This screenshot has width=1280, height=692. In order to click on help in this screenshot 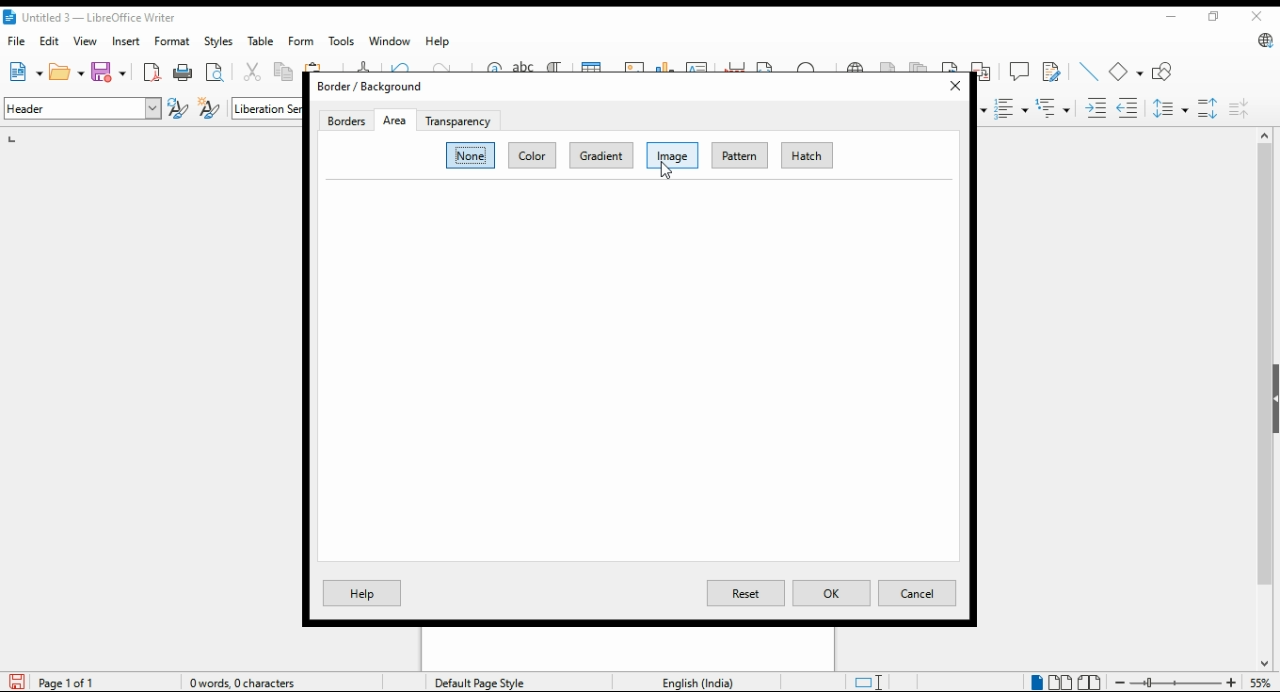, I will do `click(439, 41)`.